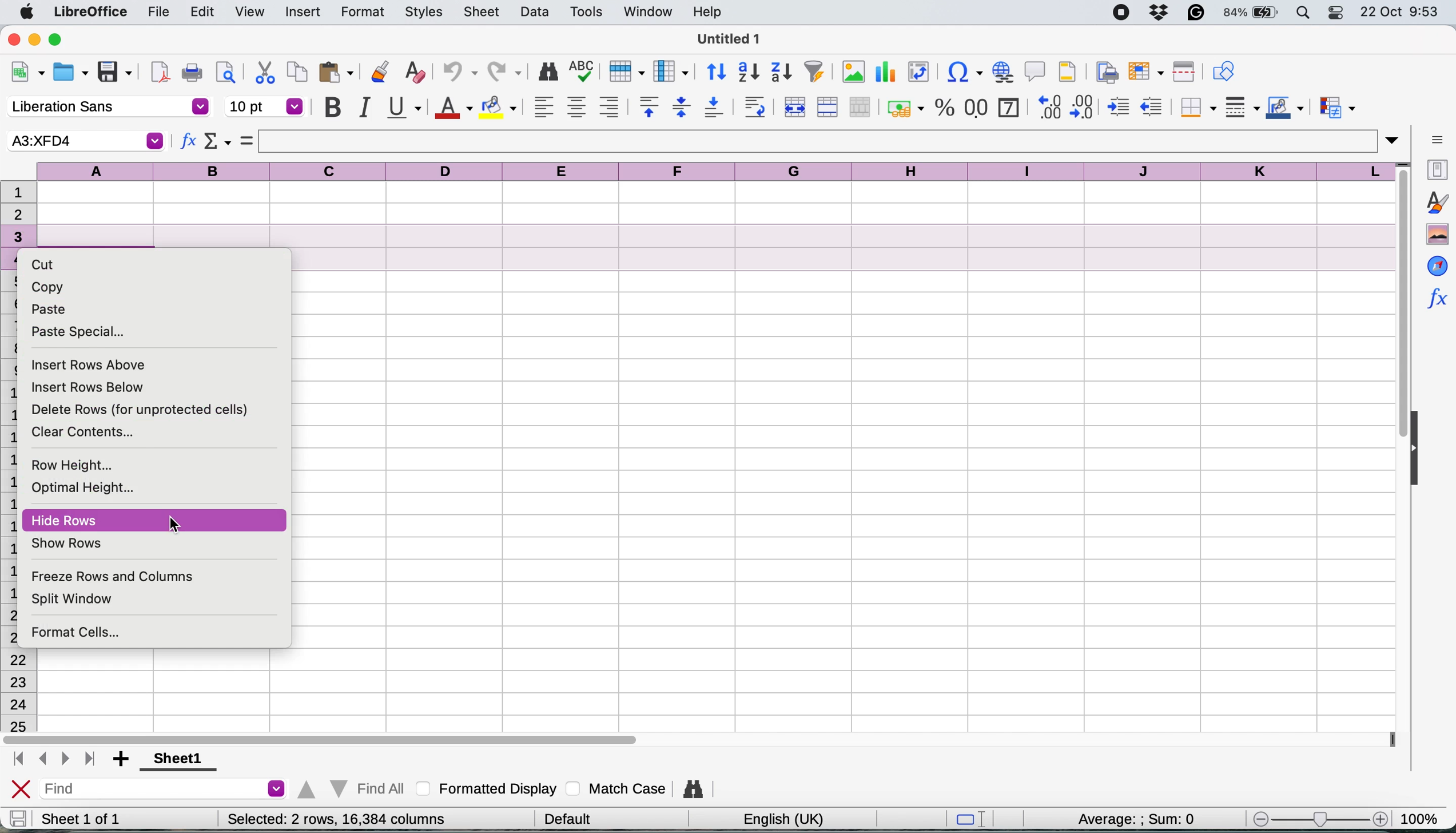 The image size is (1456, 833). I want to click on standard selection, so click(975, 820).